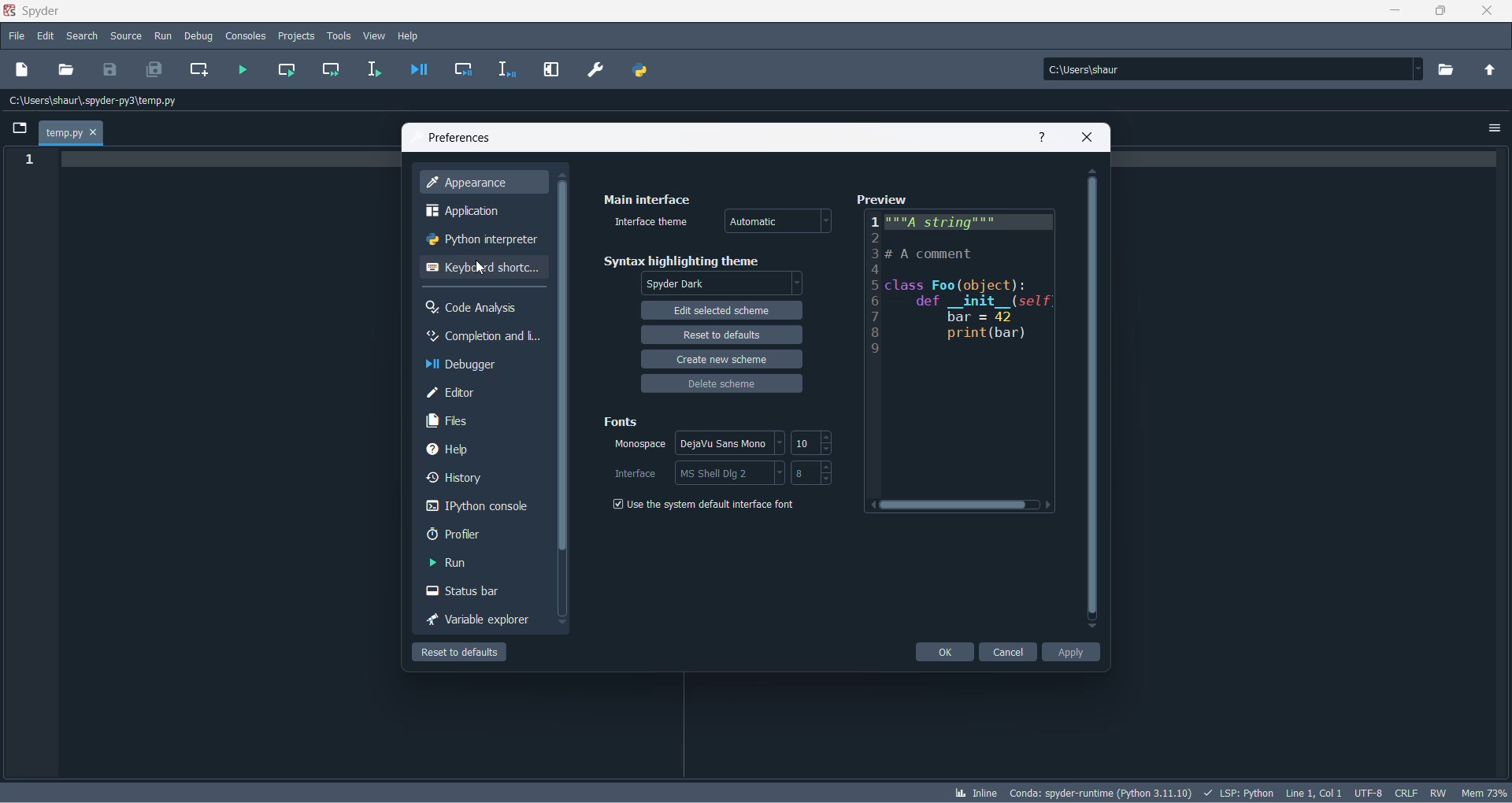  What do you see at coordinates (1368, 791) in the screenshot?
I see `chatset` at bounding box center [1368, 791].